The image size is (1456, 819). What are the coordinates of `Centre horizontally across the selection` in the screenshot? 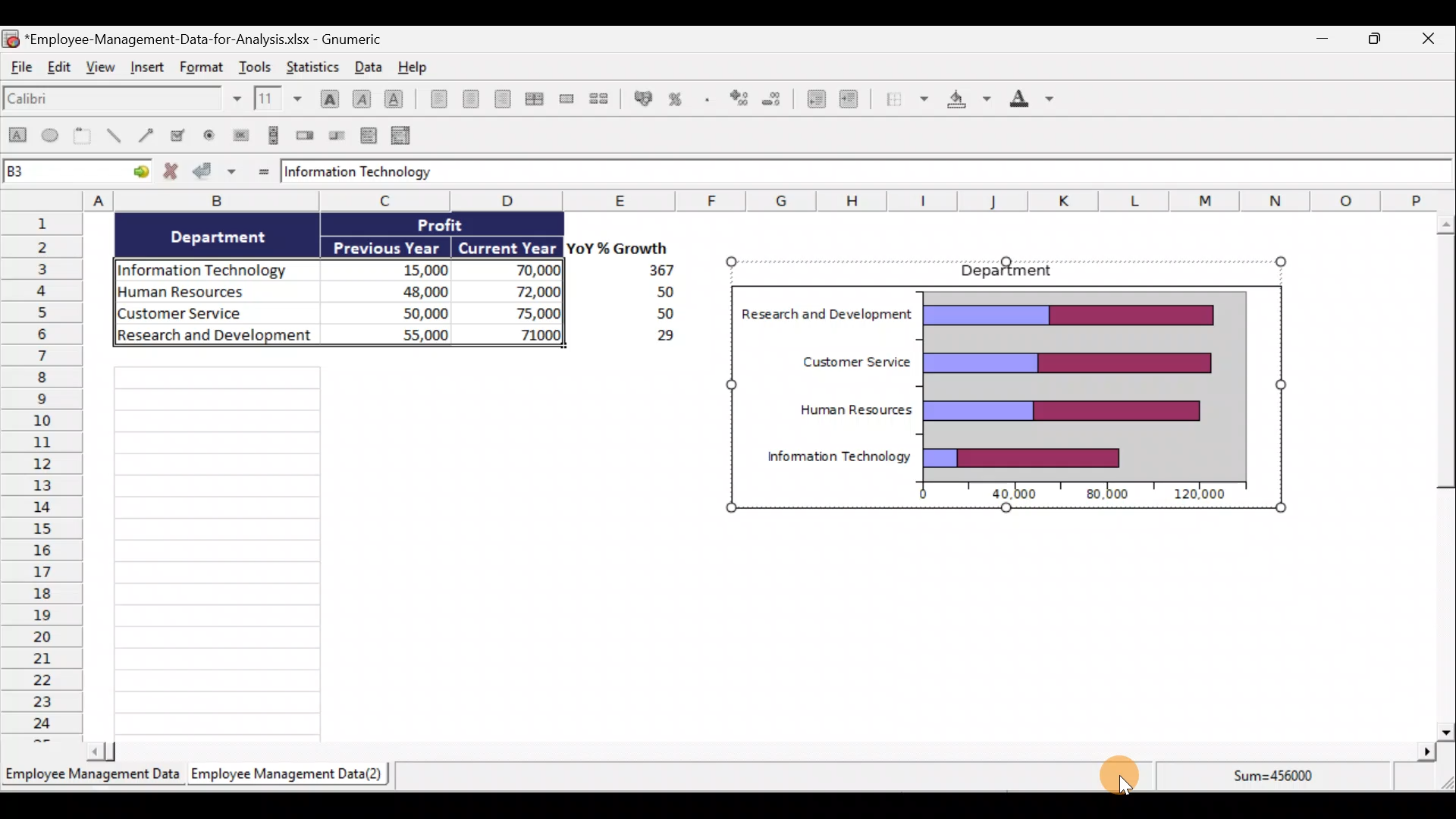 It's located at (534, 96).